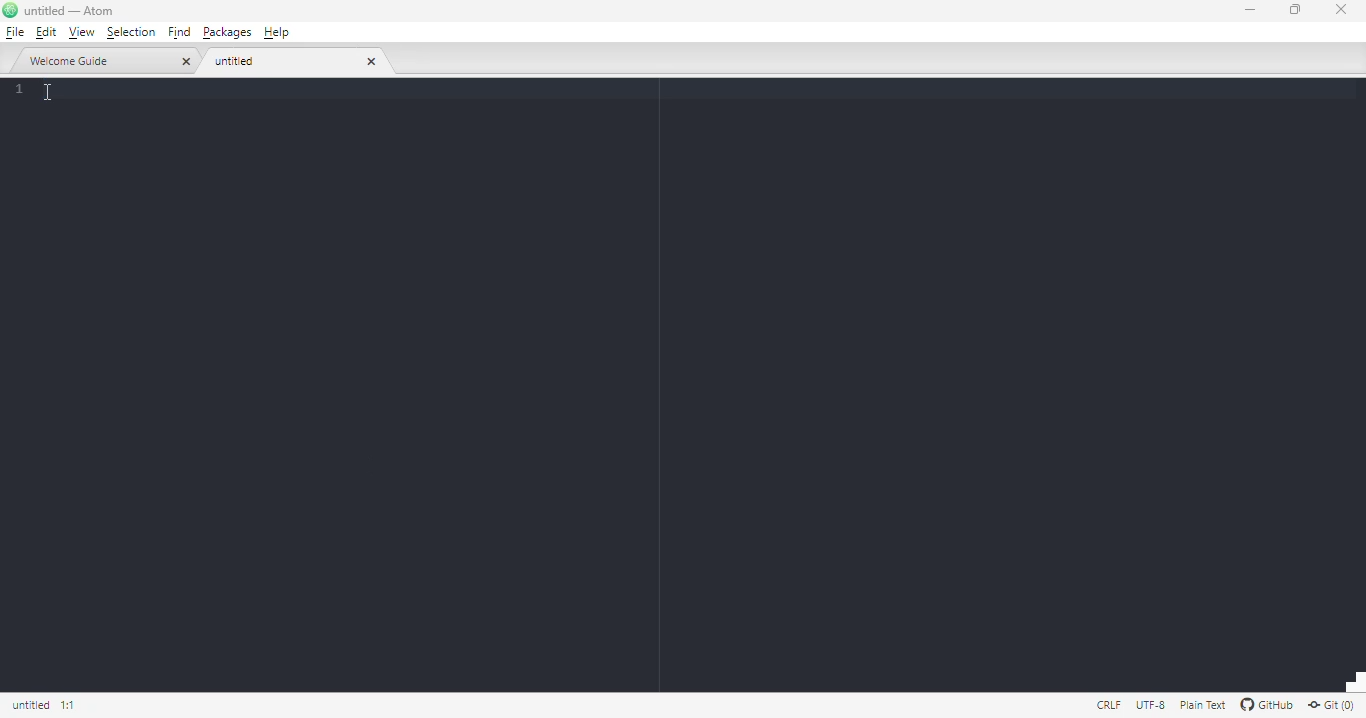  Describe the element at coordinates (9, 9) in the screenshot. I see `logo` at that location.